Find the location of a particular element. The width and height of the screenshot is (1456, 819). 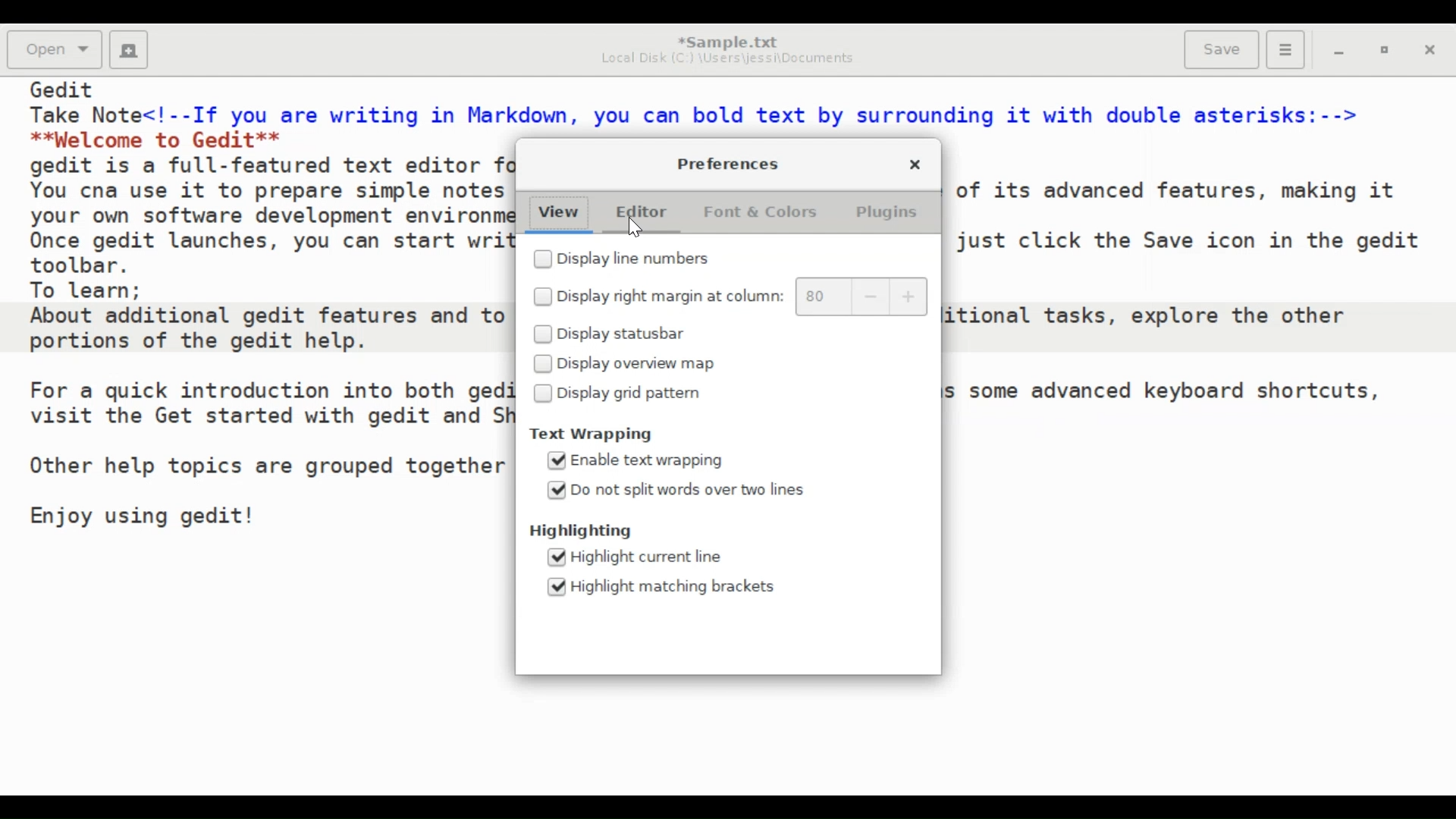

Close is located at coordinates (915, 163).